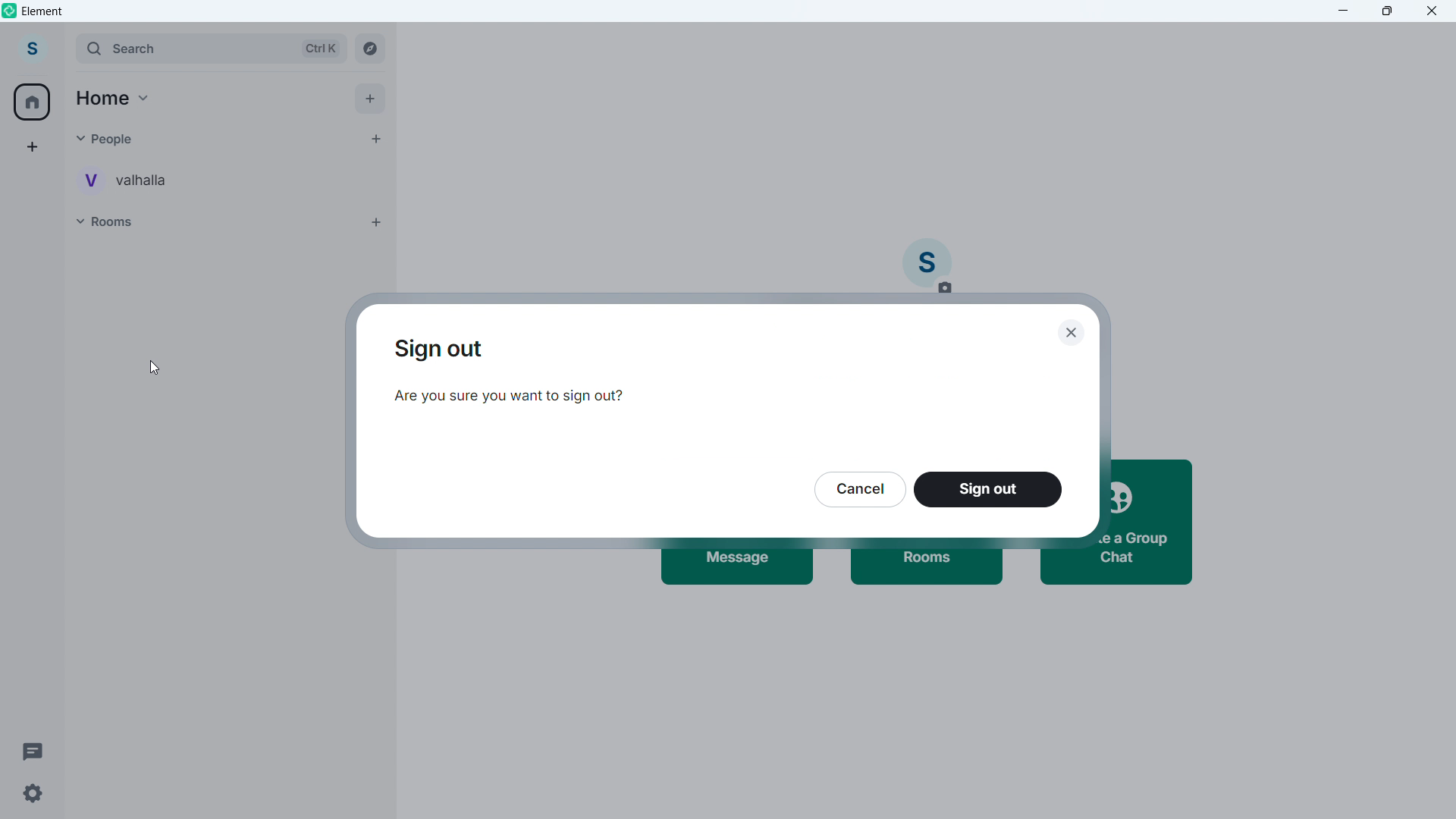  Describe the element at coordinates (513, 402) in the screenshot. I see `are you sure you want to sign out` at that location.